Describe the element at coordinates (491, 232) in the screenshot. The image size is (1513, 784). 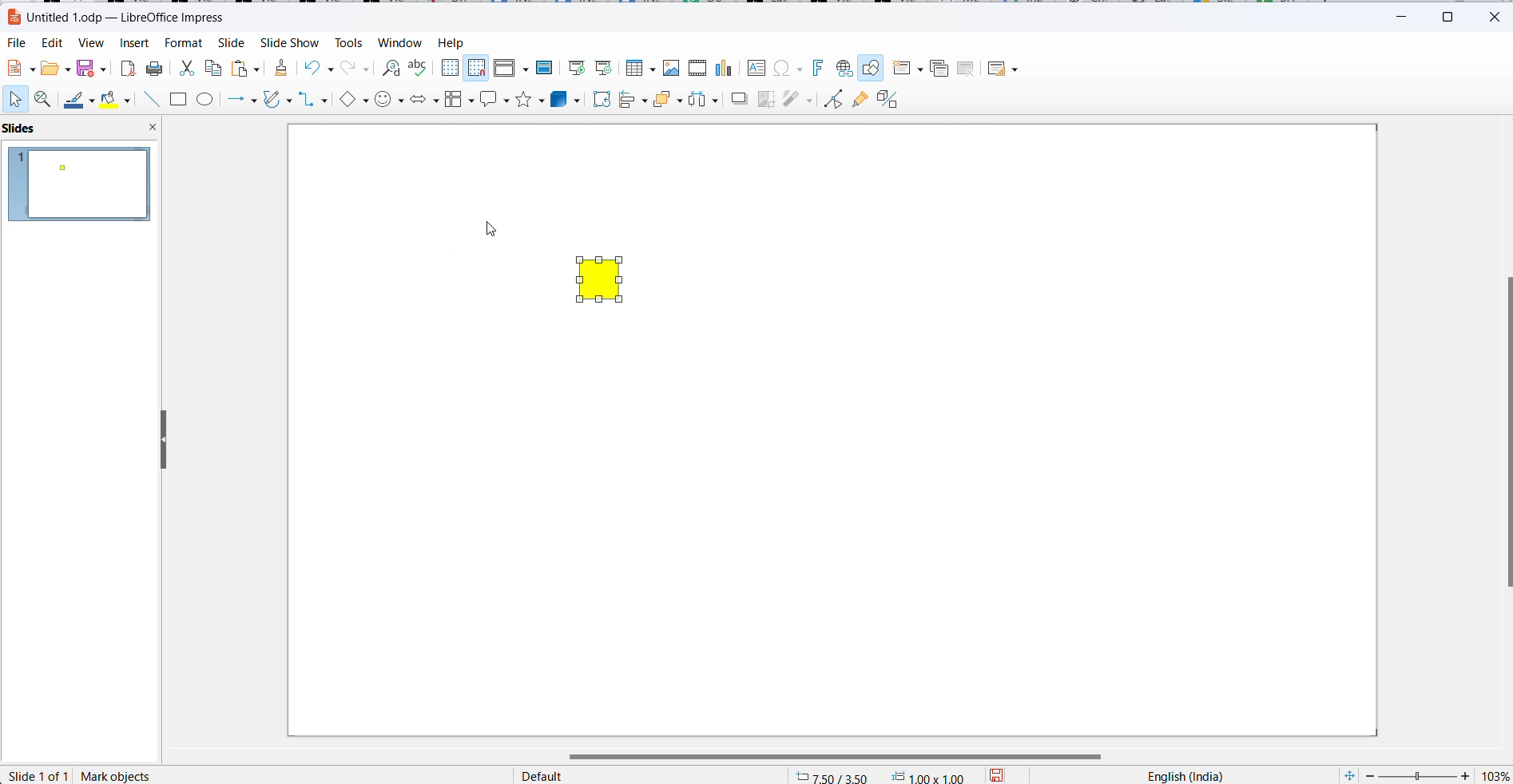
I see `cursor` at that location.